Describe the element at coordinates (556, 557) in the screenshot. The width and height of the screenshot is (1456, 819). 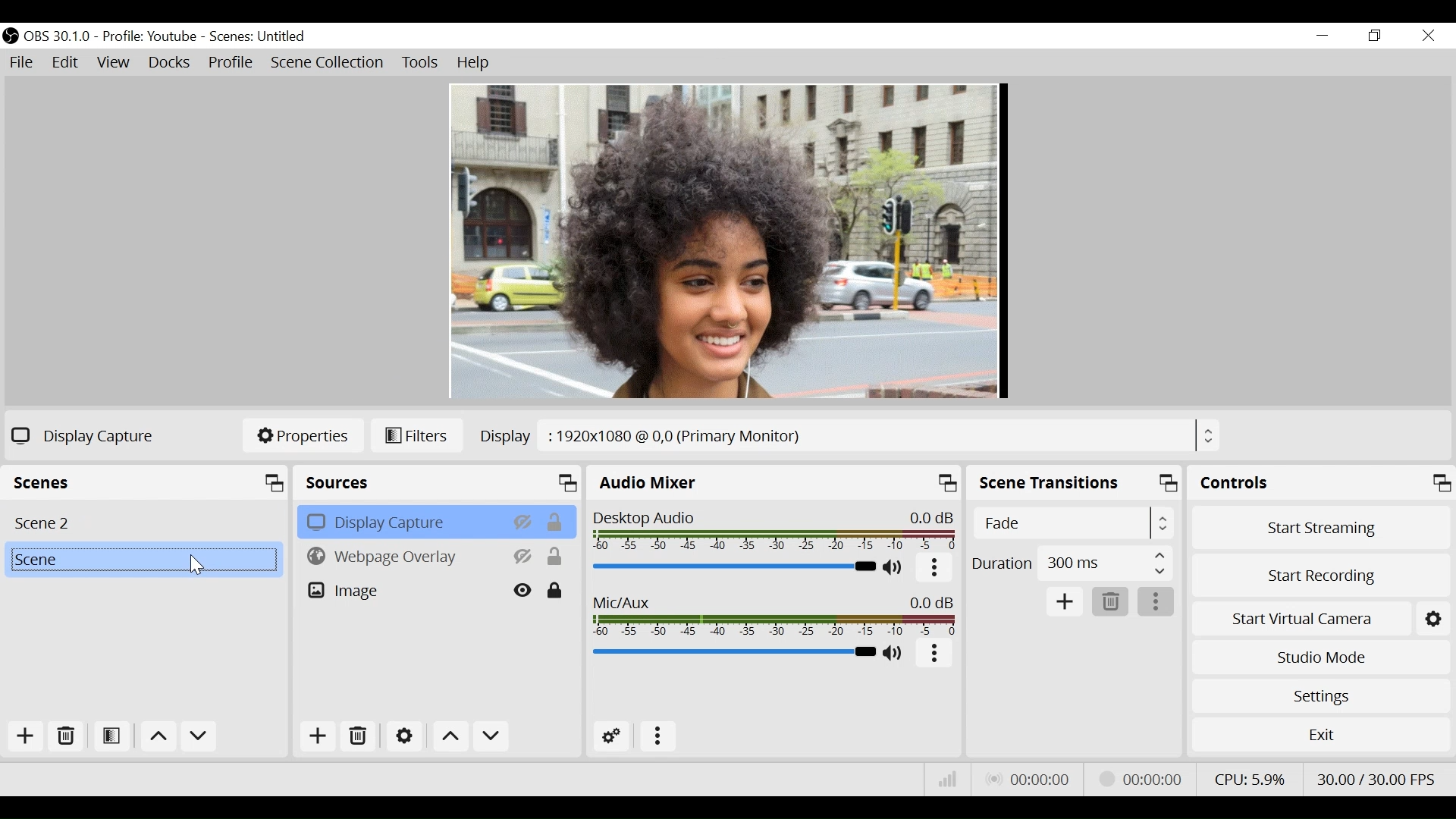
I see `(un)lock` at that location.